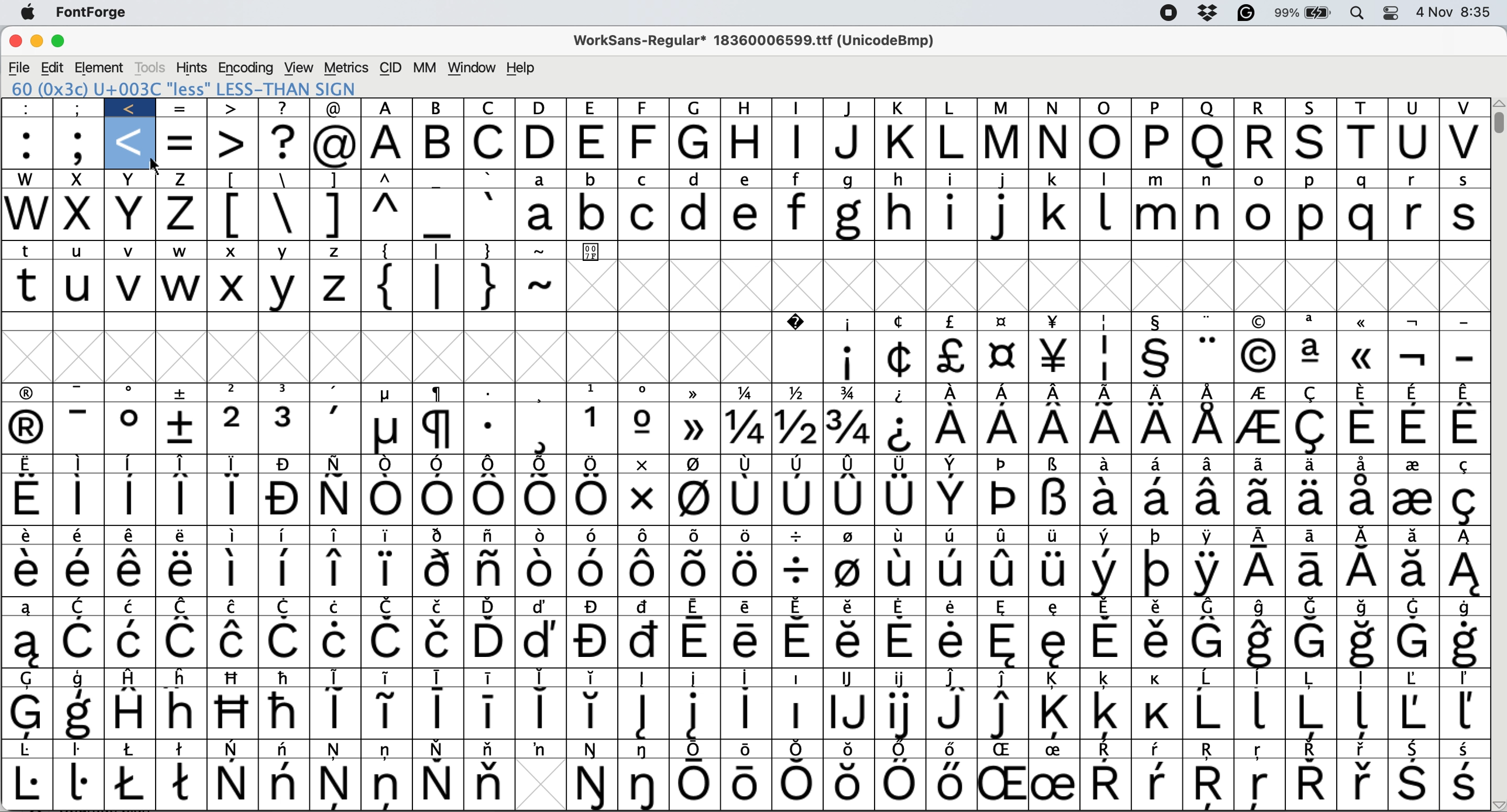 This screenshot has width=1507, height=812. Describe the element at coordinates (338, 605) in the screenshot. I see `Symbol` at that location.